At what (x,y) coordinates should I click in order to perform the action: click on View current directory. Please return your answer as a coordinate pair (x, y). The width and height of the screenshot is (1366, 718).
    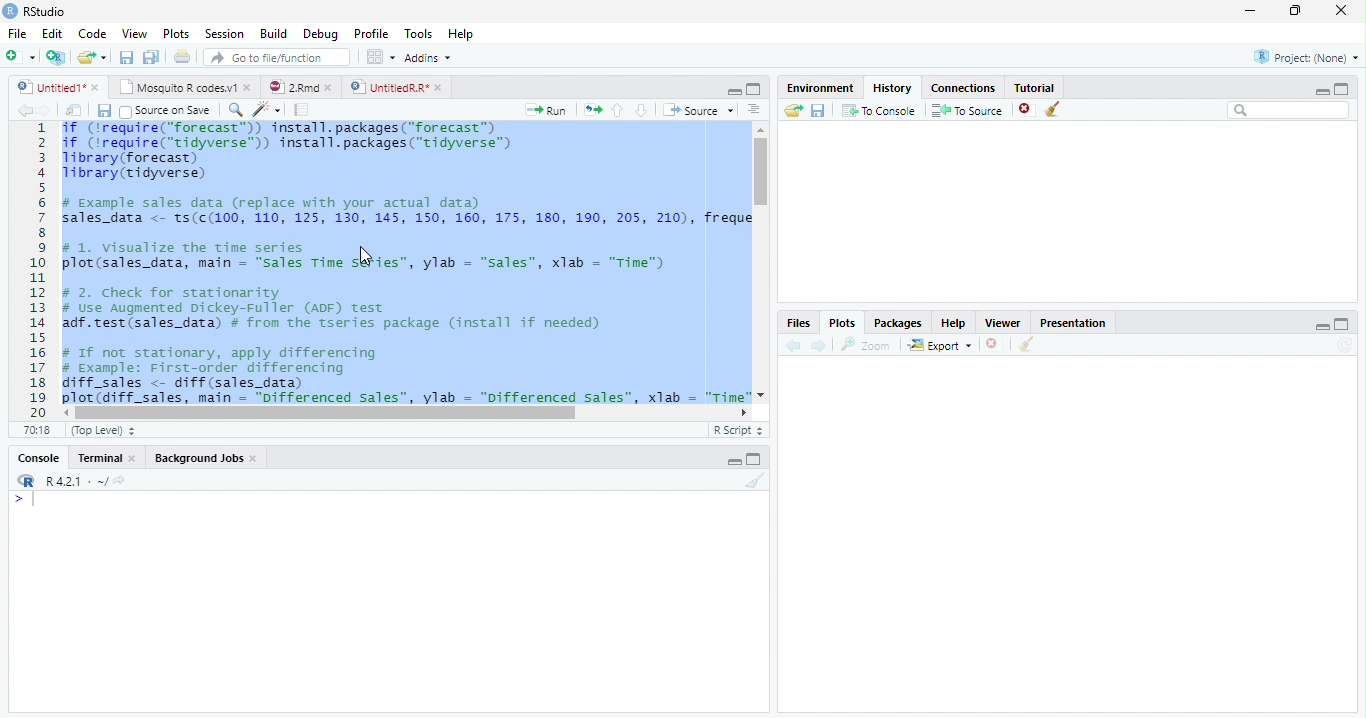
    Looking at the image, I should click on (121, 481).